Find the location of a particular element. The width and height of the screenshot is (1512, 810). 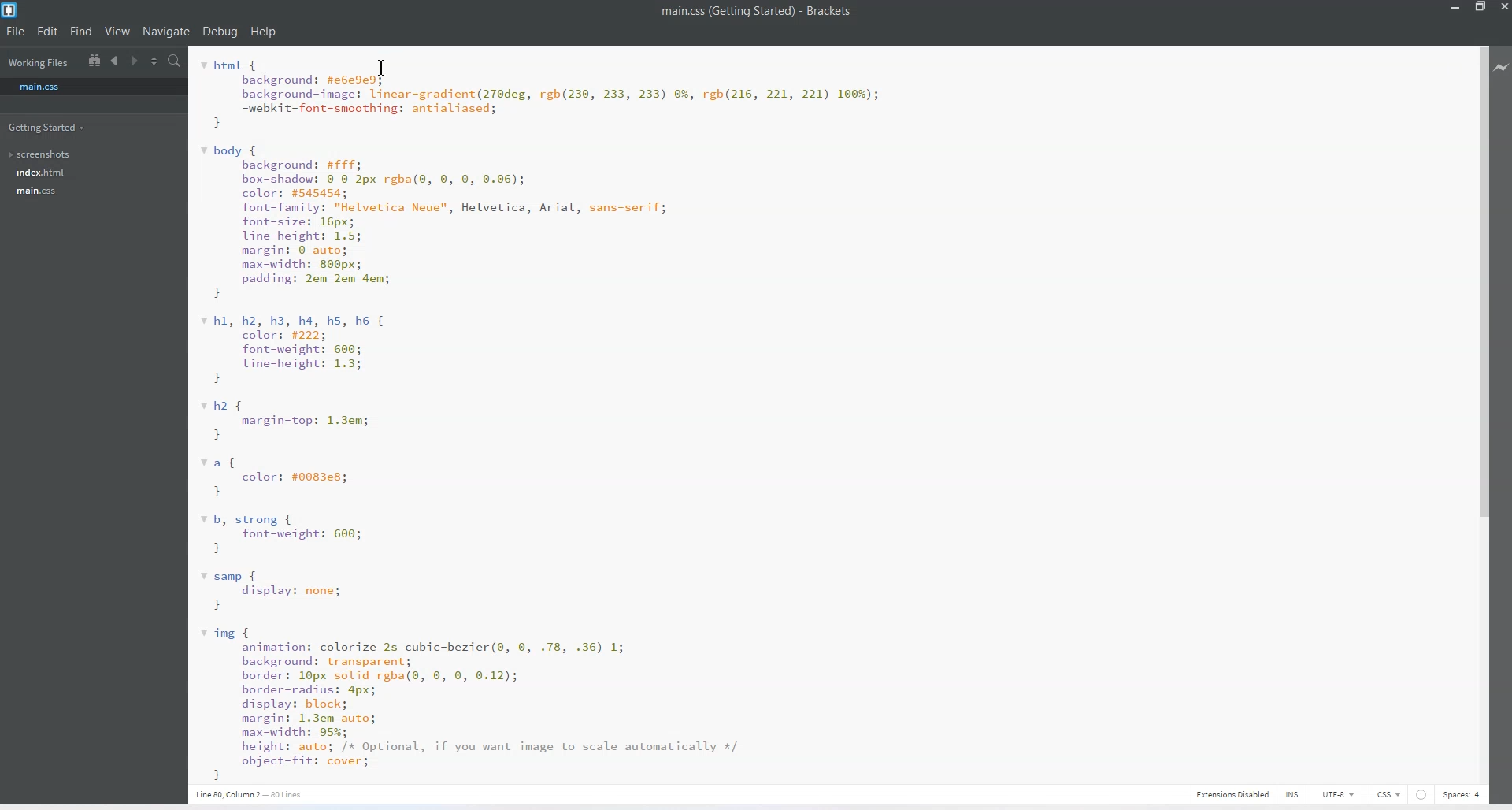

Find In files is located at coordinates (176, 61).